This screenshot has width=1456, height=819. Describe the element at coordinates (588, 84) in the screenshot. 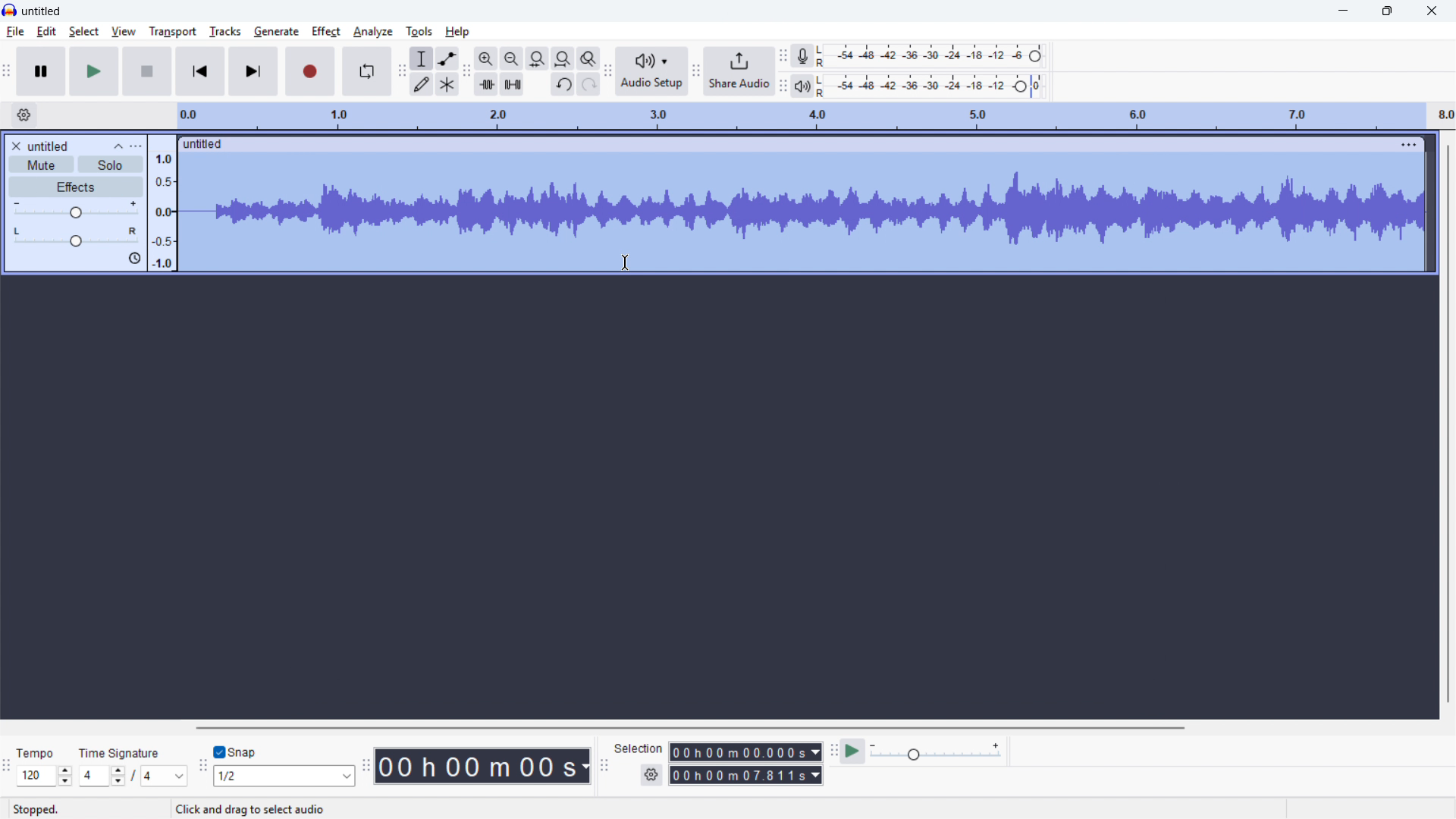

I see `Re-do ` at that location.